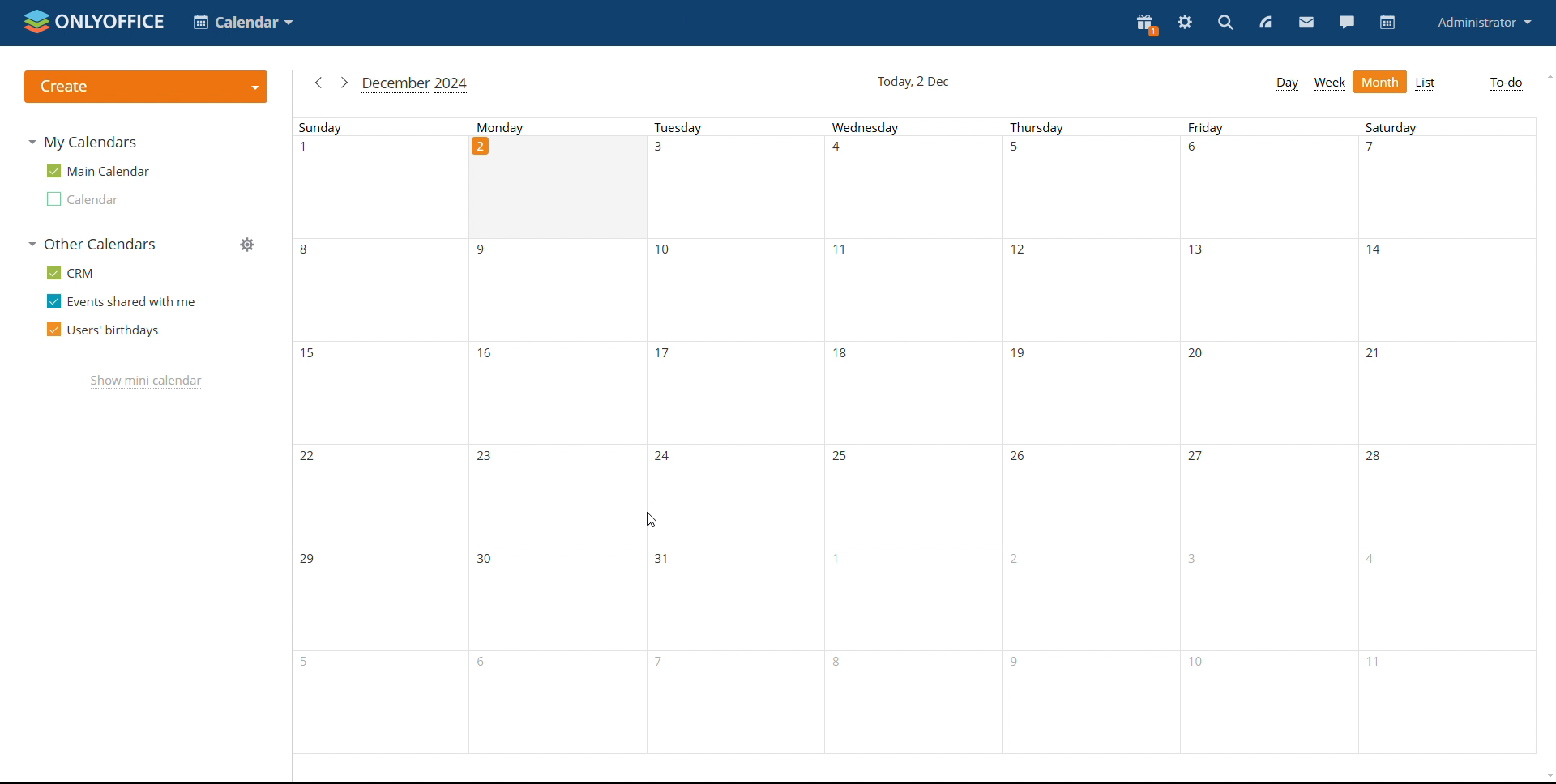  I want to click on sunday, so click(378, 436).